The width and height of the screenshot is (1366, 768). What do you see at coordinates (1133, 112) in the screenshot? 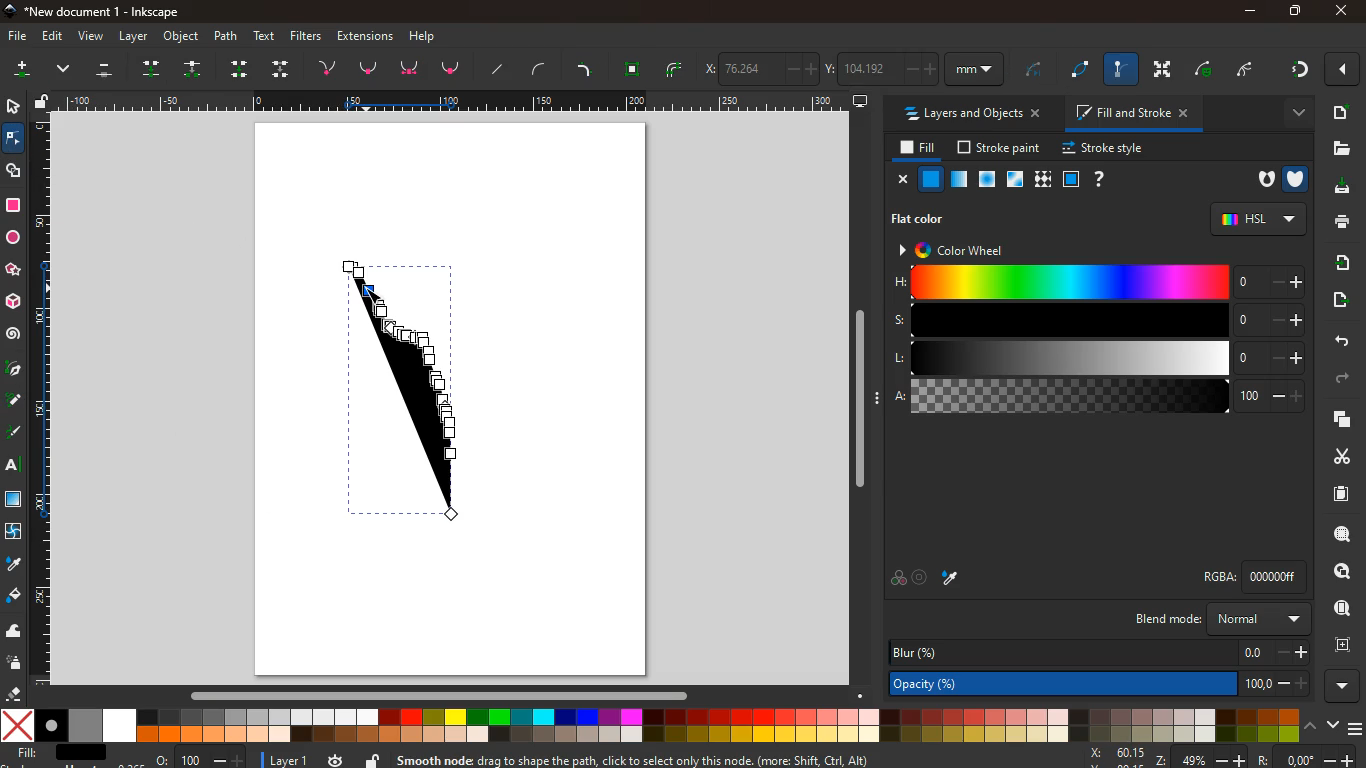
I see `fill and stroke` at bounding box center [1133, 112].